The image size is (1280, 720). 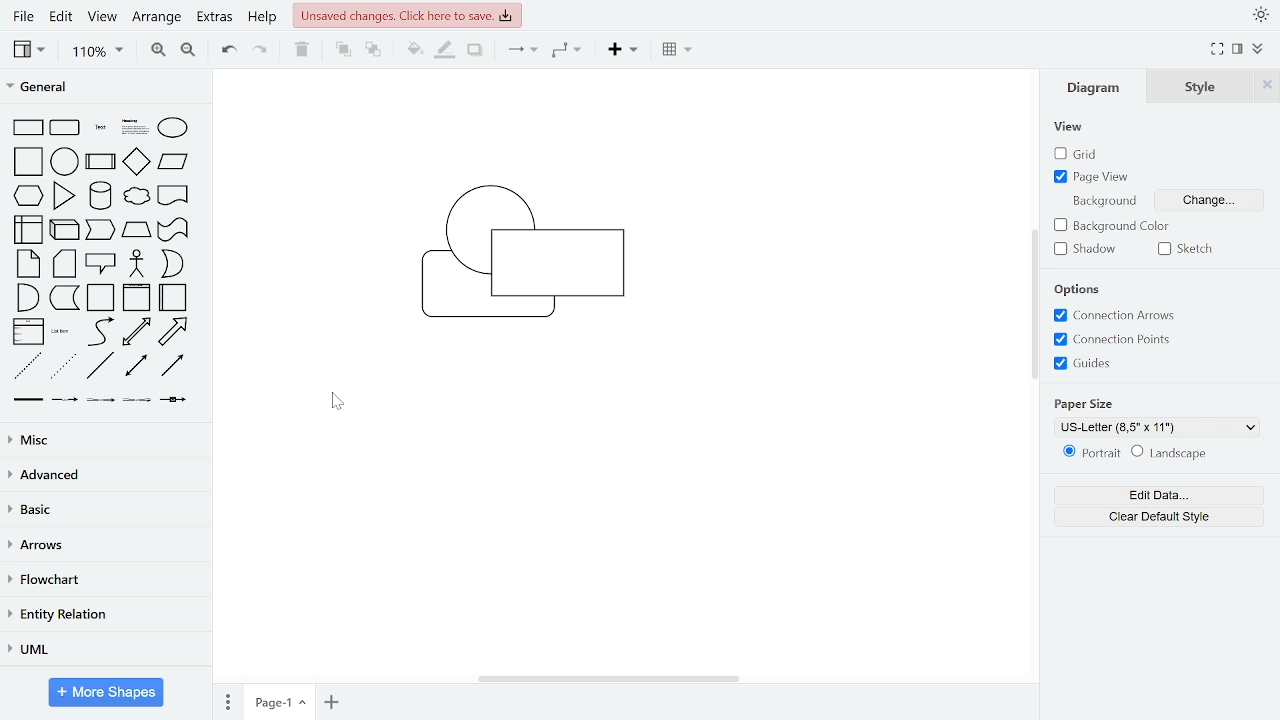 What do you see at coordinates (27, 366) in the screenshot?
I see `dashed line` at bounding box center [27, 366].